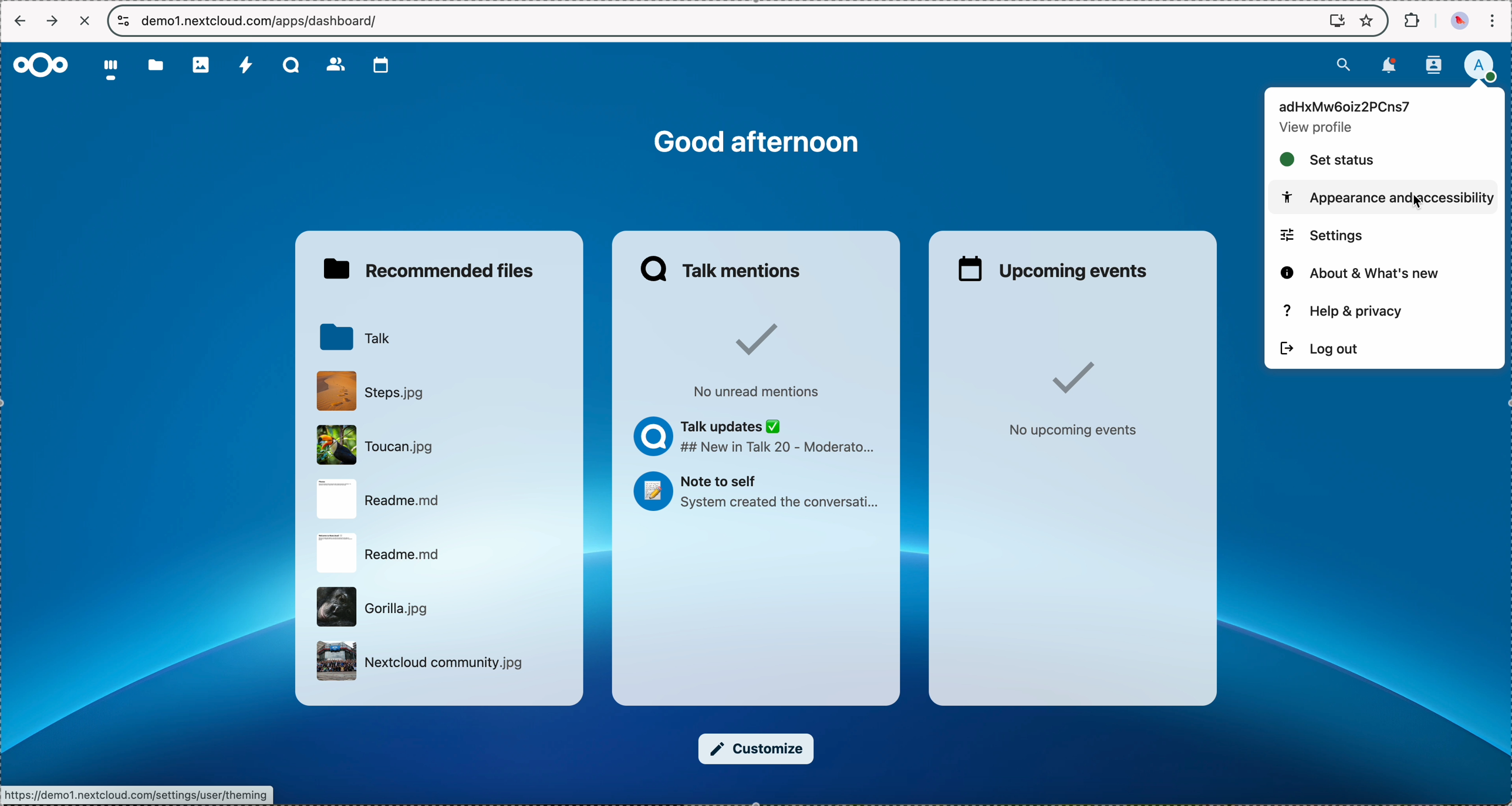  I want to click on Talk, so click(289, 66).